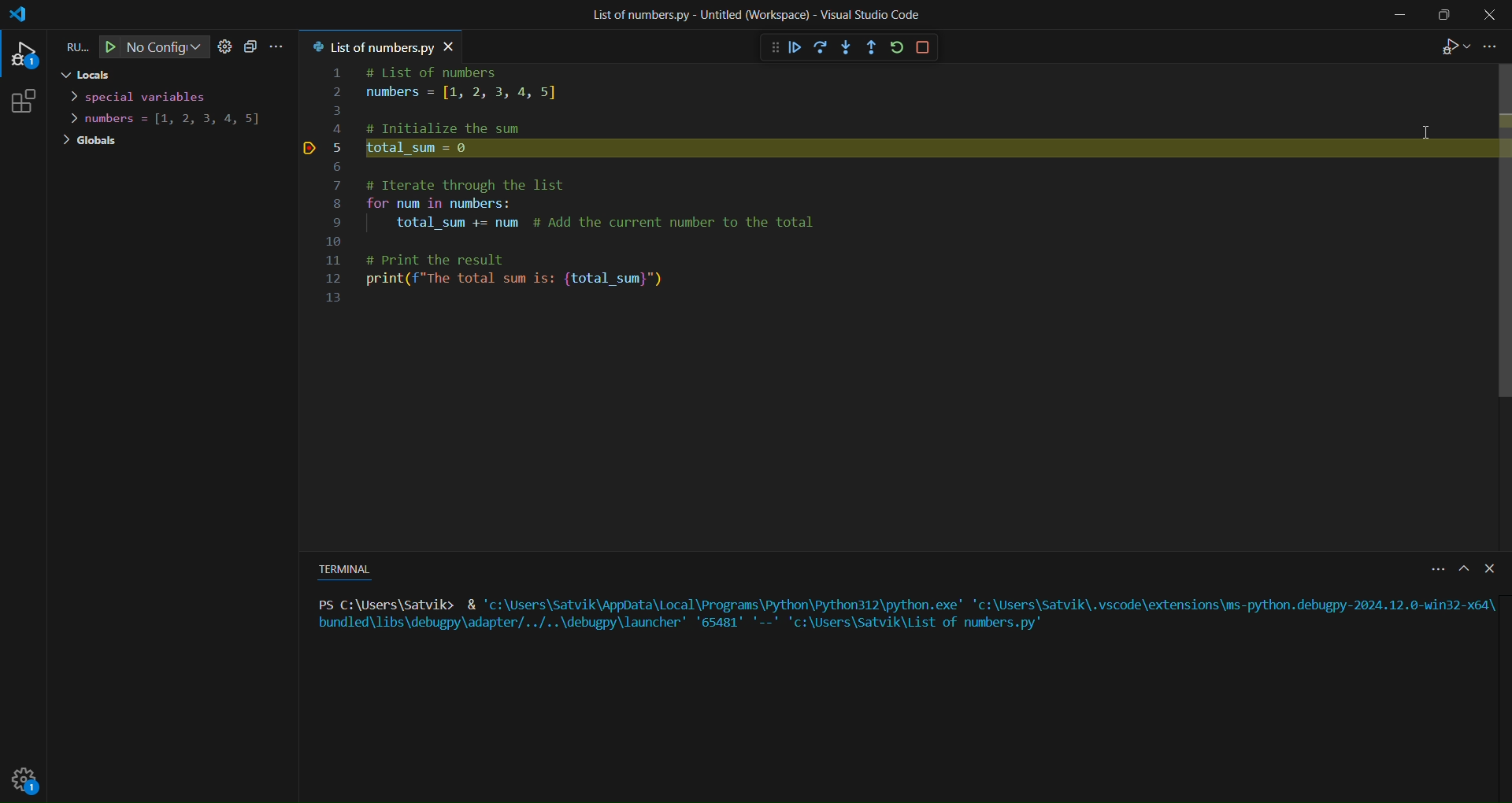  I want to click on more, so click(280, 47).